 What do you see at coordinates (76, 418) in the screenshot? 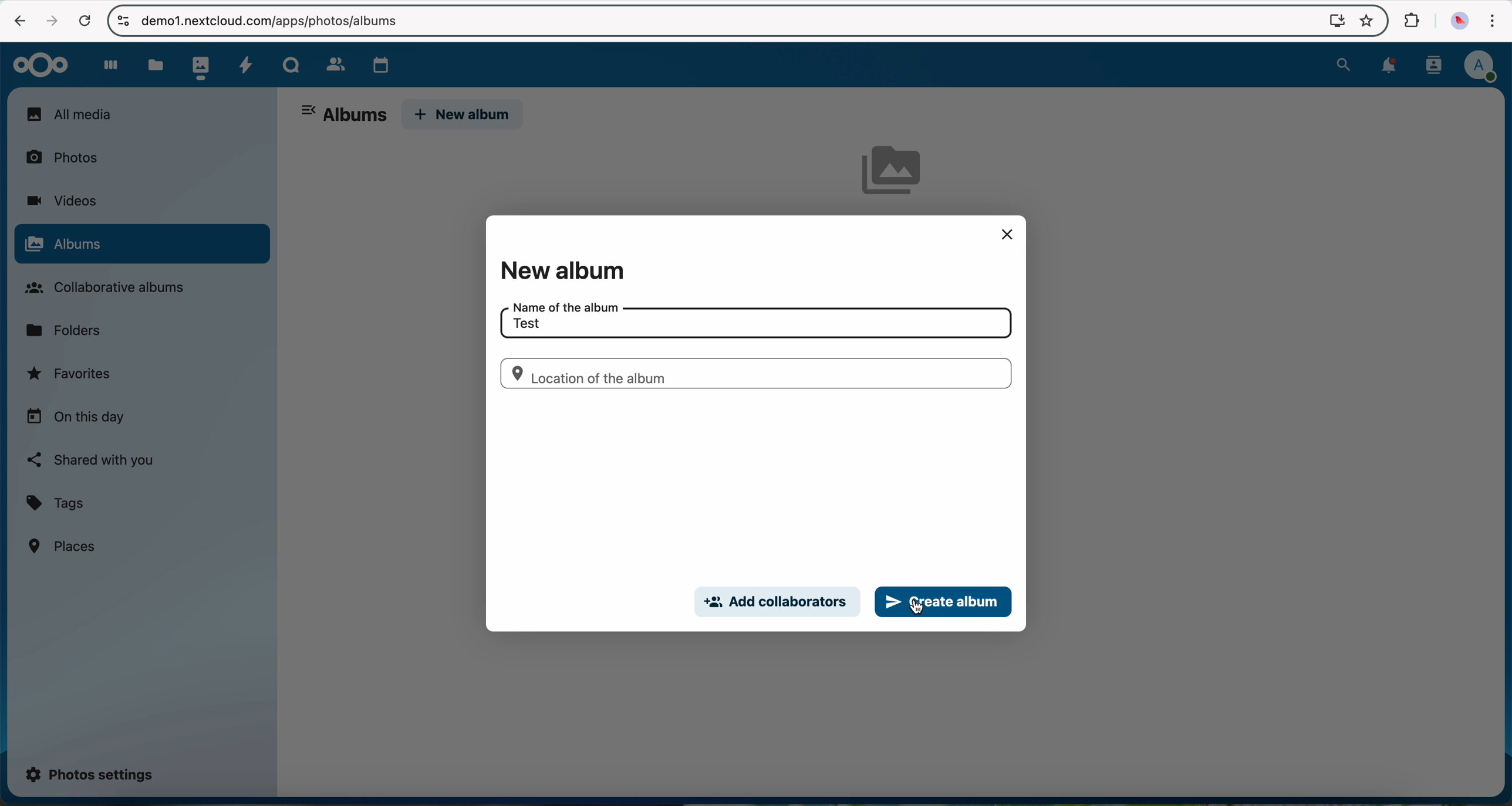
I see `on this day` at bounding box center [76, 418].